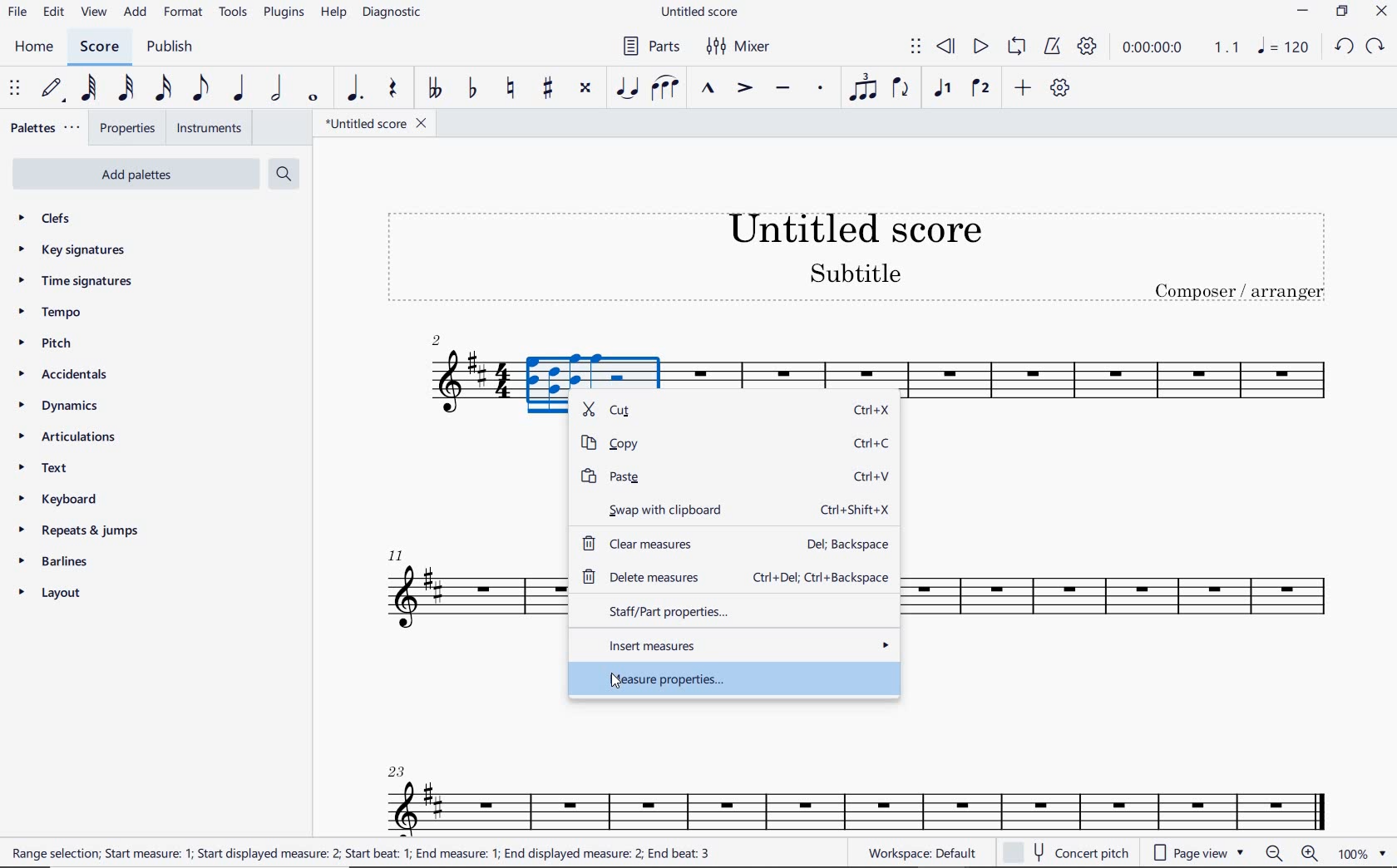 The image size is (1397, 868). What do you see at coordinates (286, 175) in the screenshot?
I see `SEARCH PALETTES` at bounding box center [286, 175].